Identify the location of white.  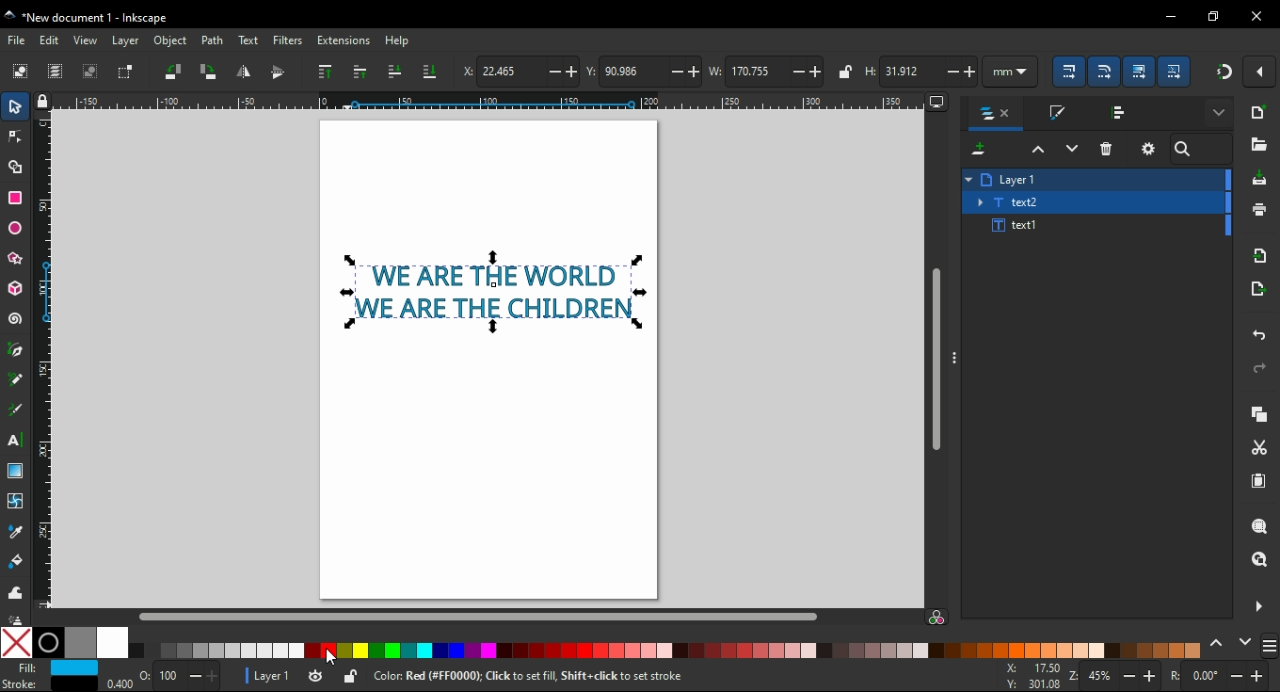
(114, 643).